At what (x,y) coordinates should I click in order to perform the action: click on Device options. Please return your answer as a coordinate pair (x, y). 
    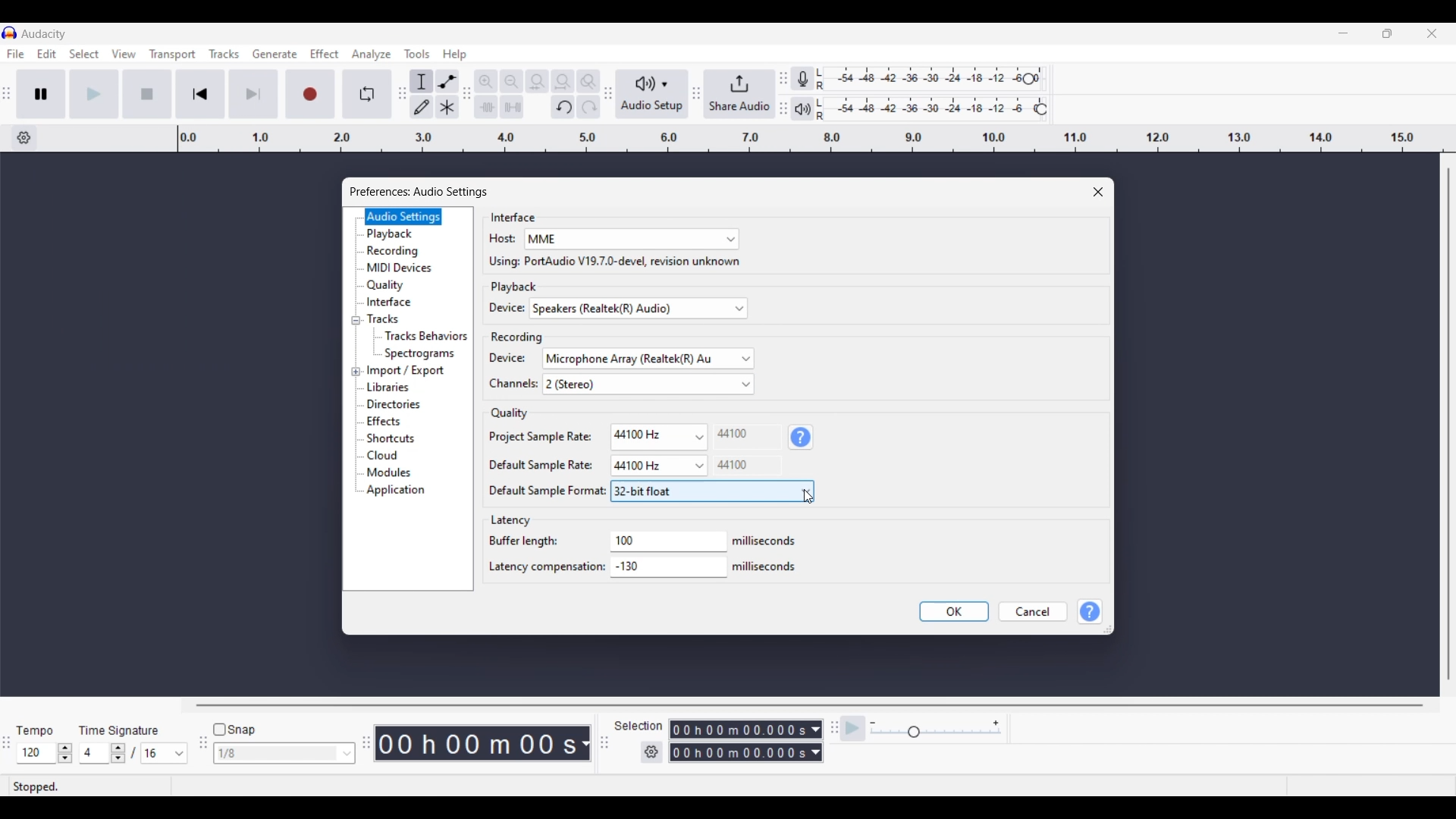
    Looking at the image, I should click on (639, 309).